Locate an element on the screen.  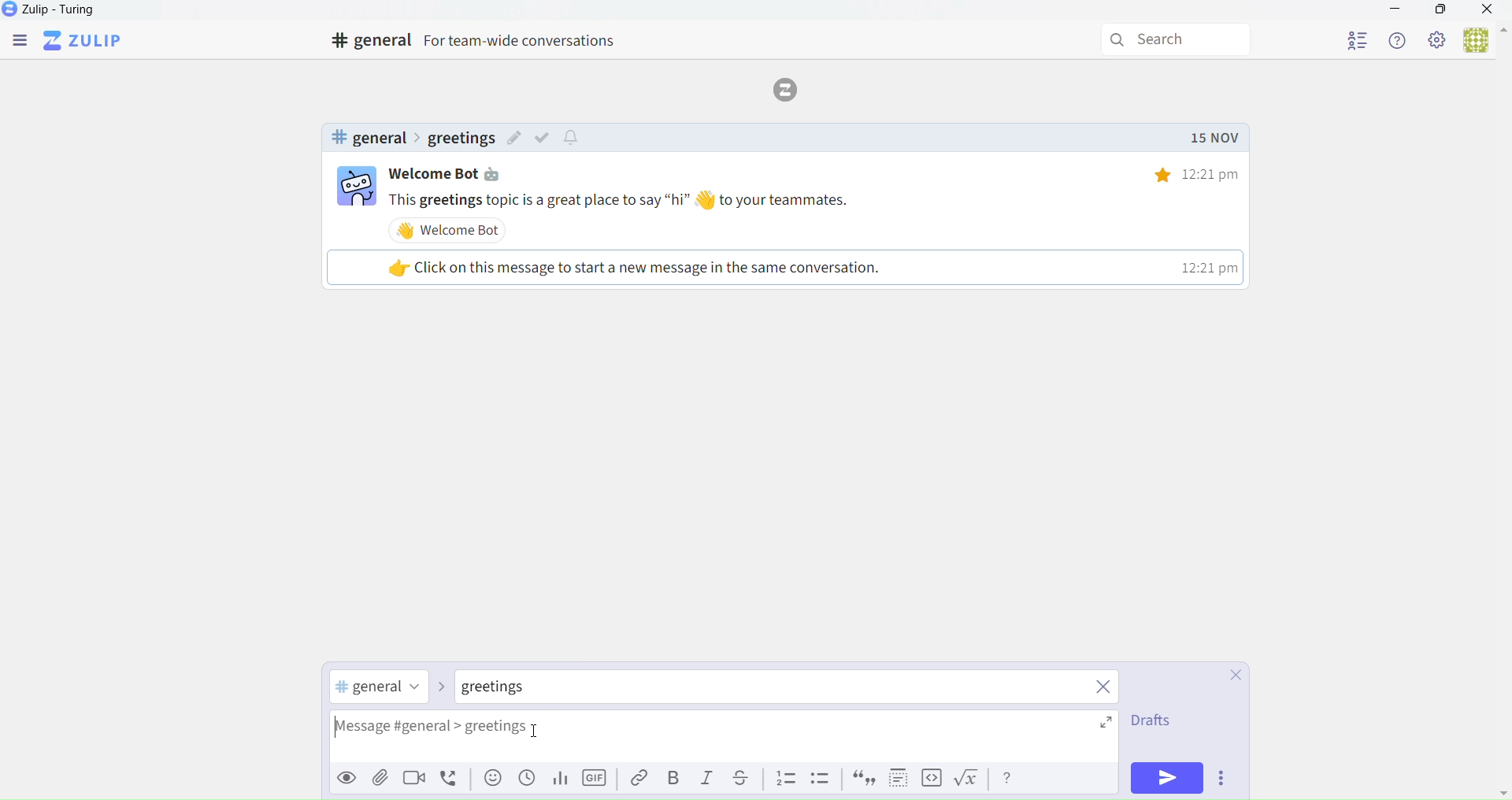
Links is located at coordinates (635, 779).